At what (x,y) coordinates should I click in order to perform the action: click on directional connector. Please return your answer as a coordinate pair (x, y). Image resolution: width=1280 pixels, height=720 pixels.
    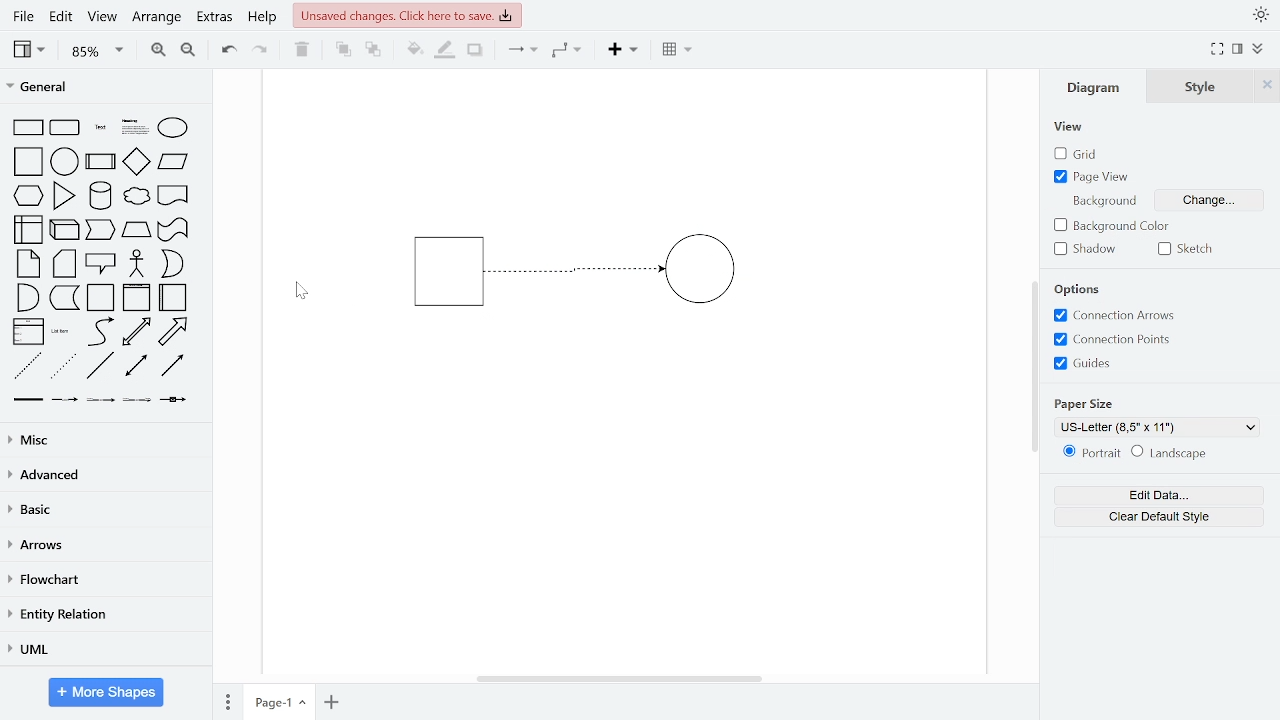
    Looking at the image, I should click on (172, 365).